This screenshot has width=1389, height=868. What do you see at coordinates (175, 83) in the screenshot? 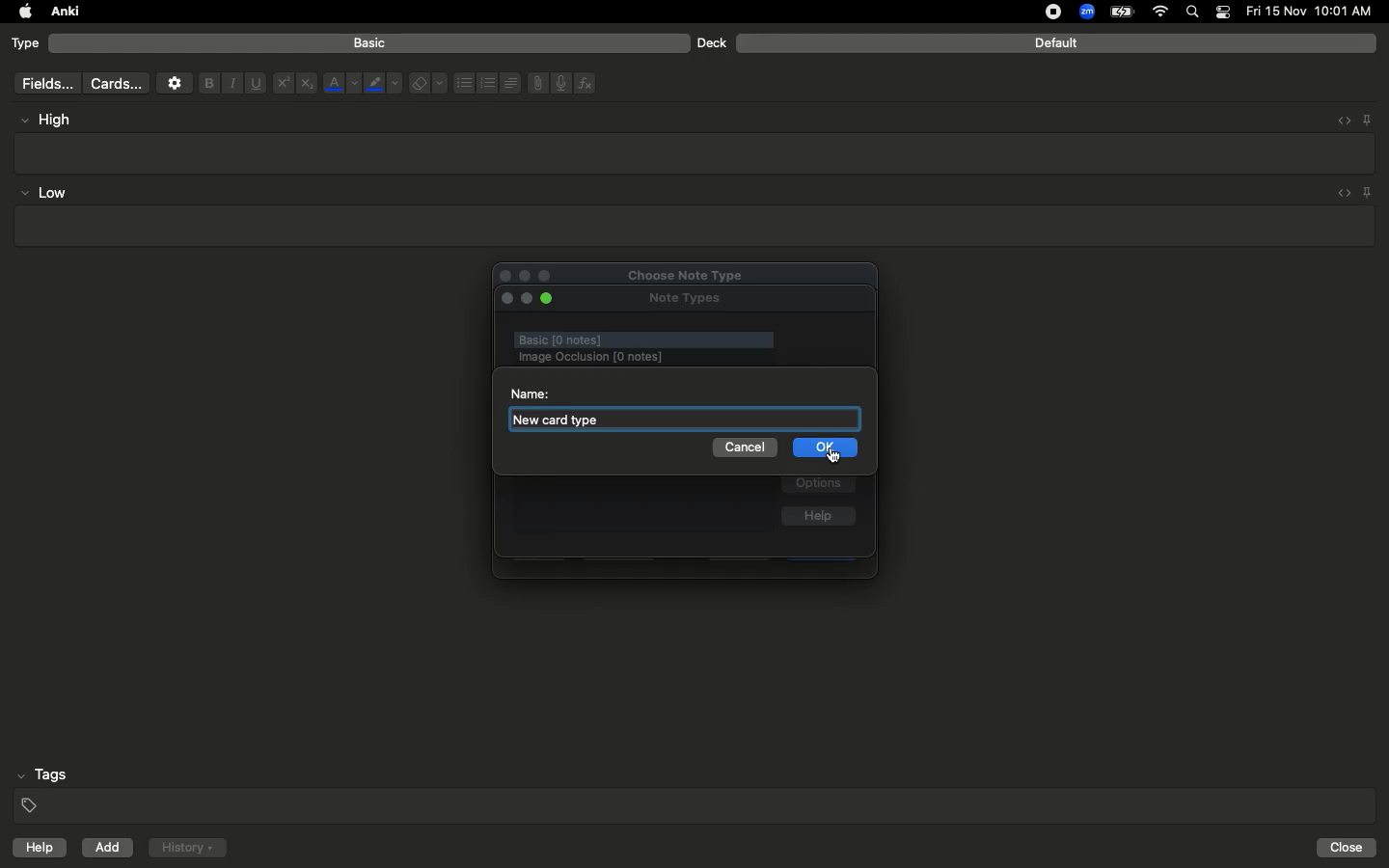
I see `Settings` at bounding box center [175, 83].